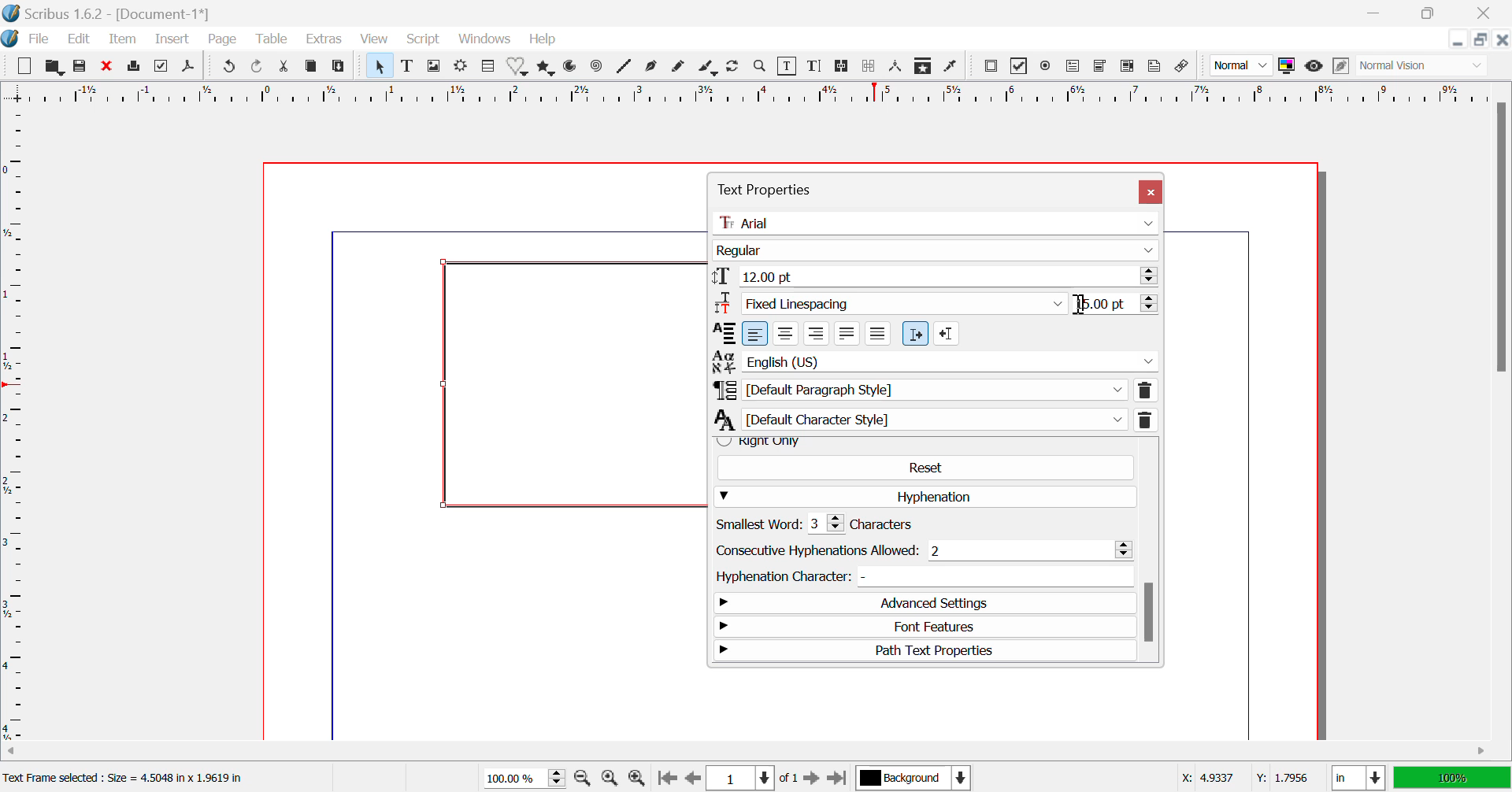 The width and height of the screenshot is (1512, 792). Describe the element at coordinates (79, 66) in the screenshot. I see `Save` at that location.